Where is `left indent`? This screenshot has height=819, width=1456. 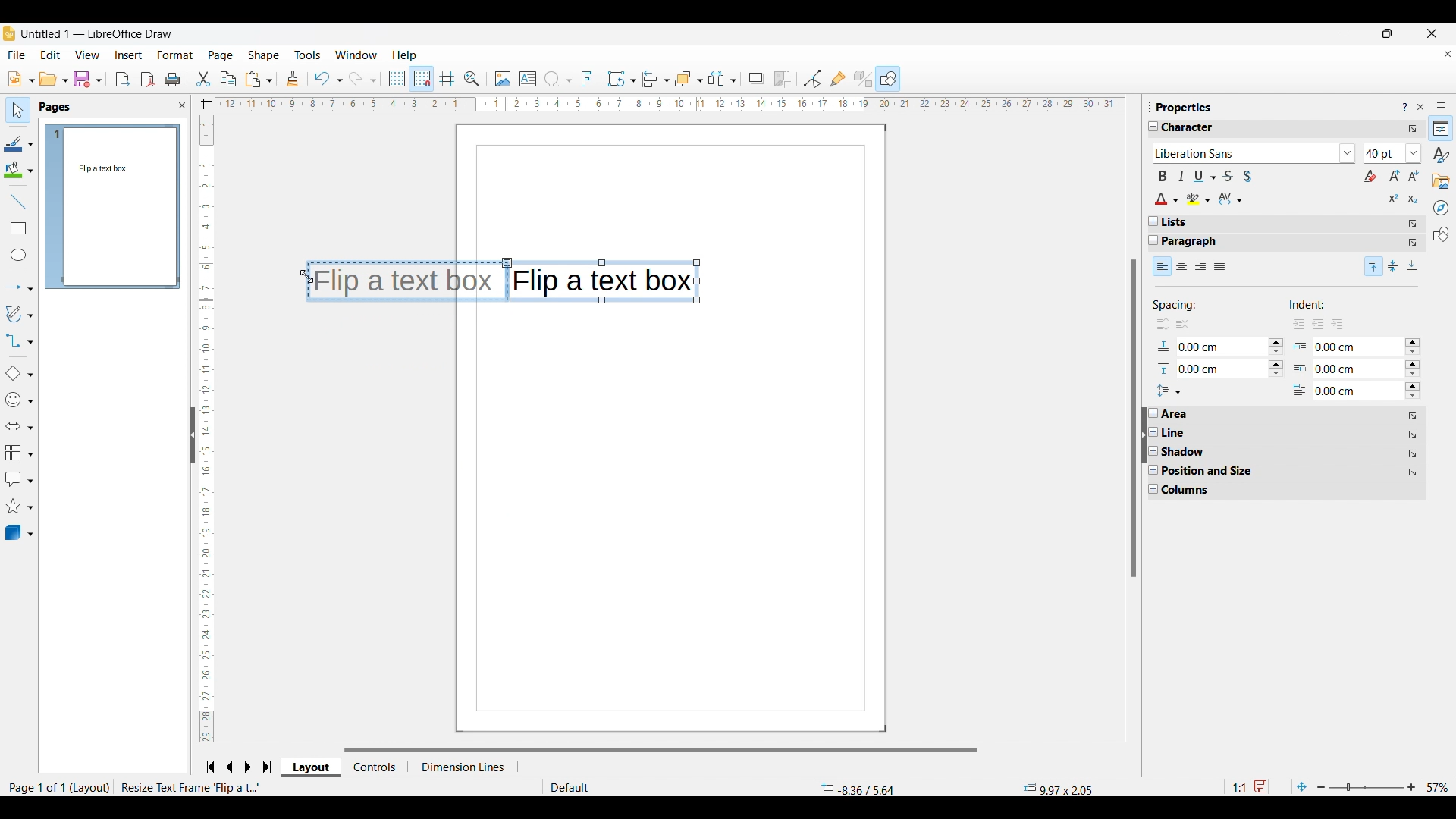
left indent is located at coordinates (1316, 328).